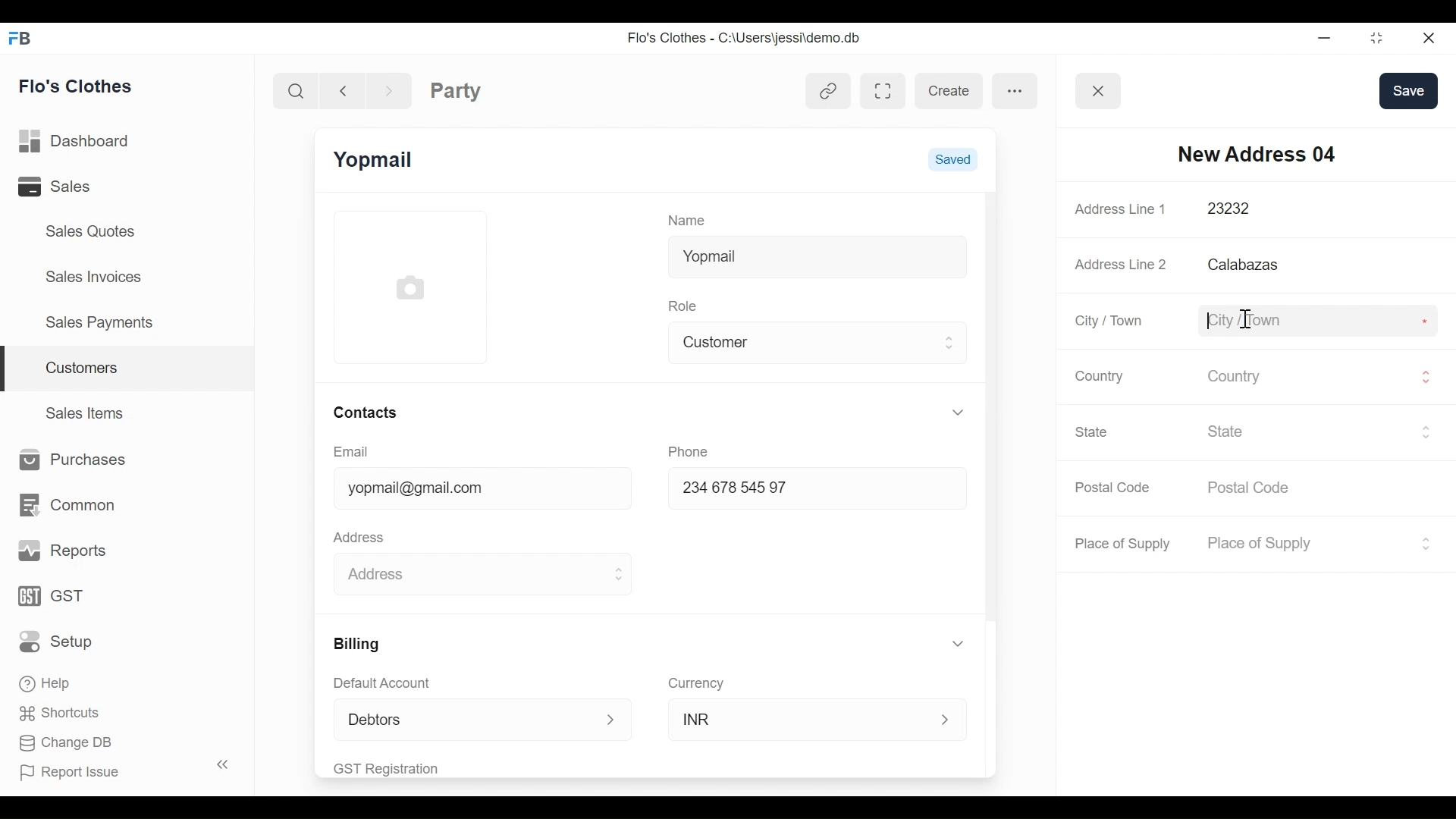 The image size is (1456, 819). Describe the element at coordinates (1427, 319) in the screenshot. I see `Asterisk ` at that location.